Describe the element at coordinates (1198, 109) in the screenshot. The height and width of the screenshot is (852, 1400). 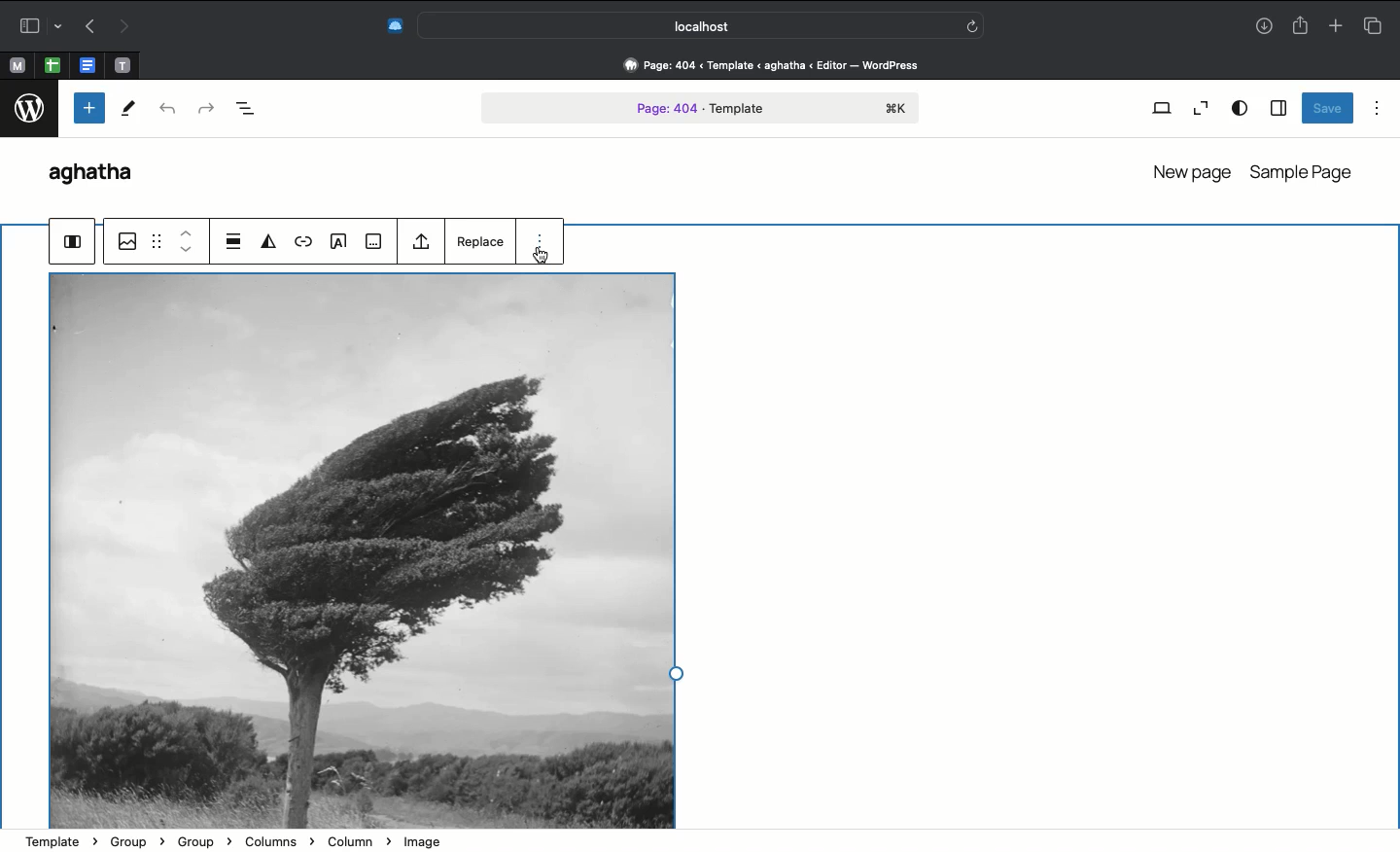
I see `Zoom out` at that location.